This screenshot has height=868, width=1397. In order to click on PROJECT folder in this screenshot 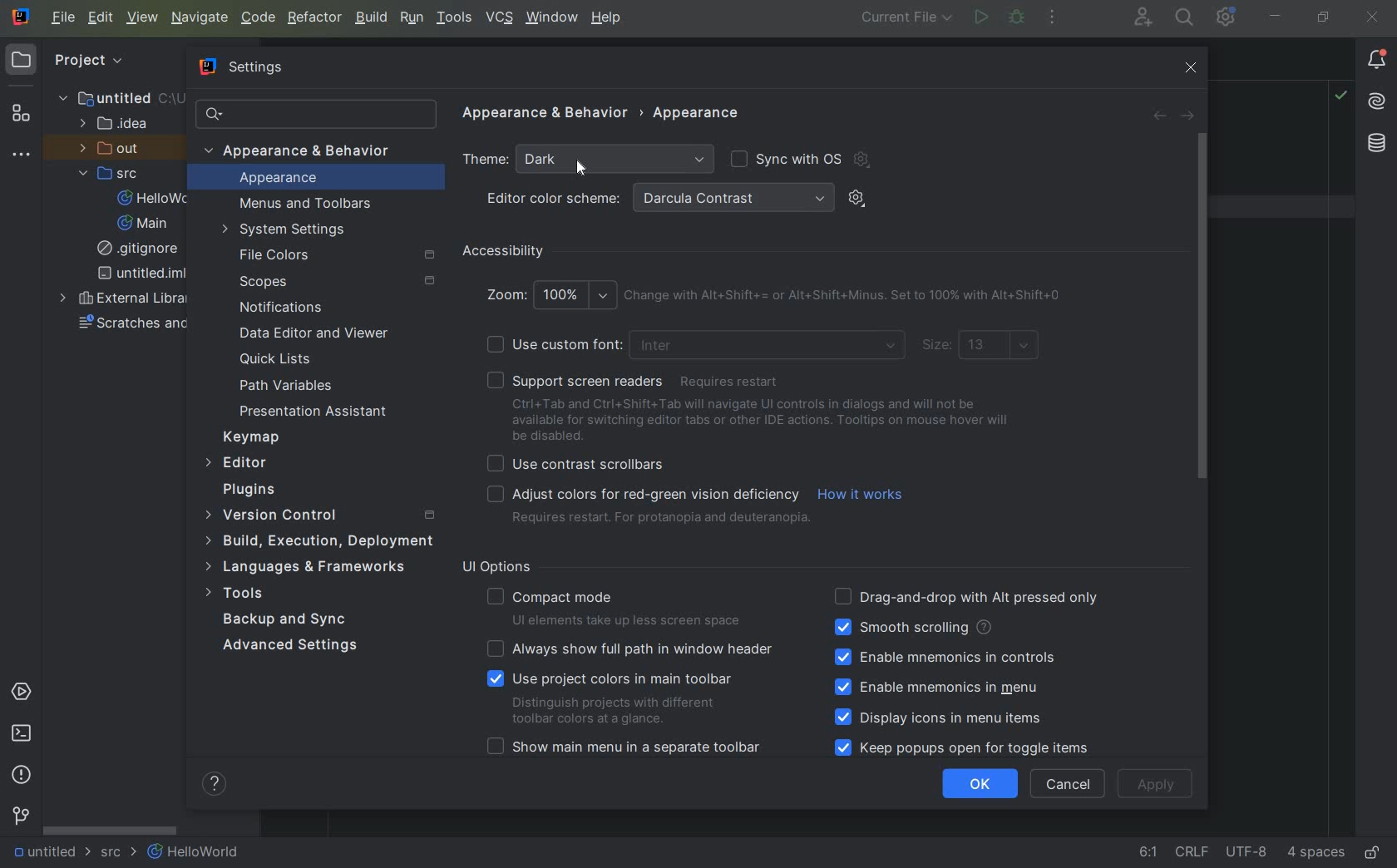, I will do `click(22, 62)`.